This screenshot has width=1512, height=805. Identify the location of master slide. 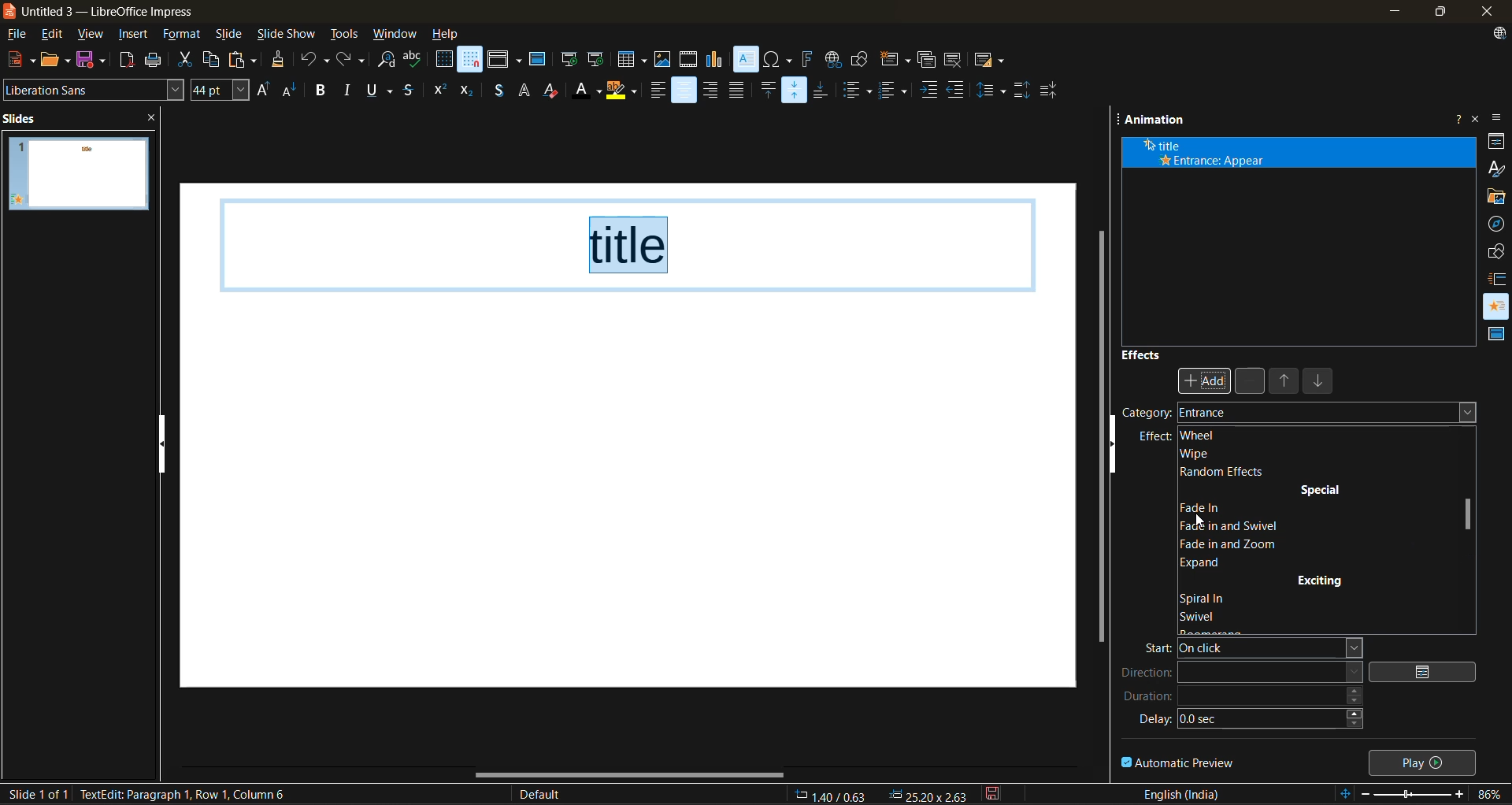
(538, 61).